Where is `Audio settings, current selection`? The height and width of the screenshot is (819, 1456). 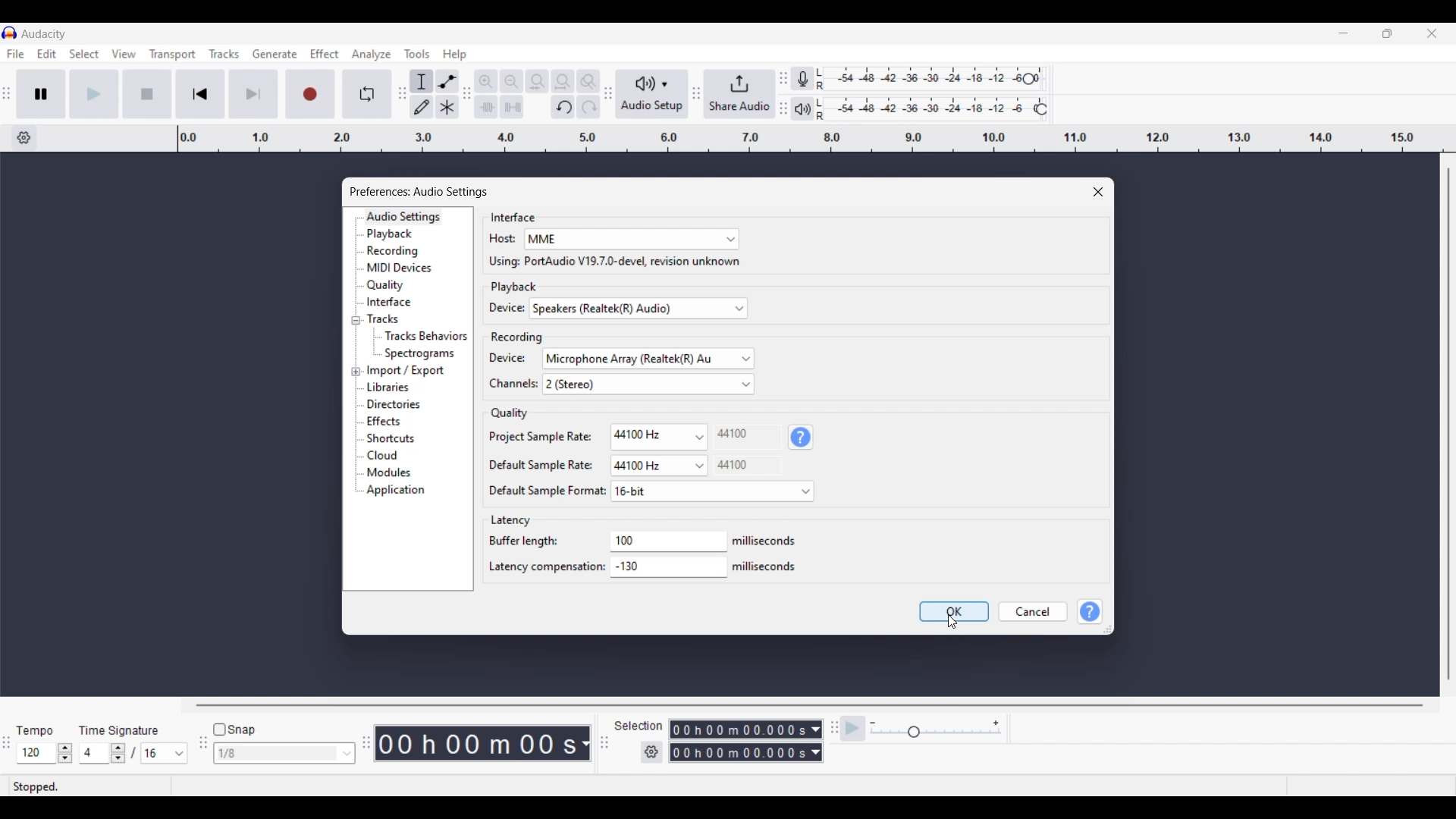 Audio settings, current selection is located at coordinates (403, 216).